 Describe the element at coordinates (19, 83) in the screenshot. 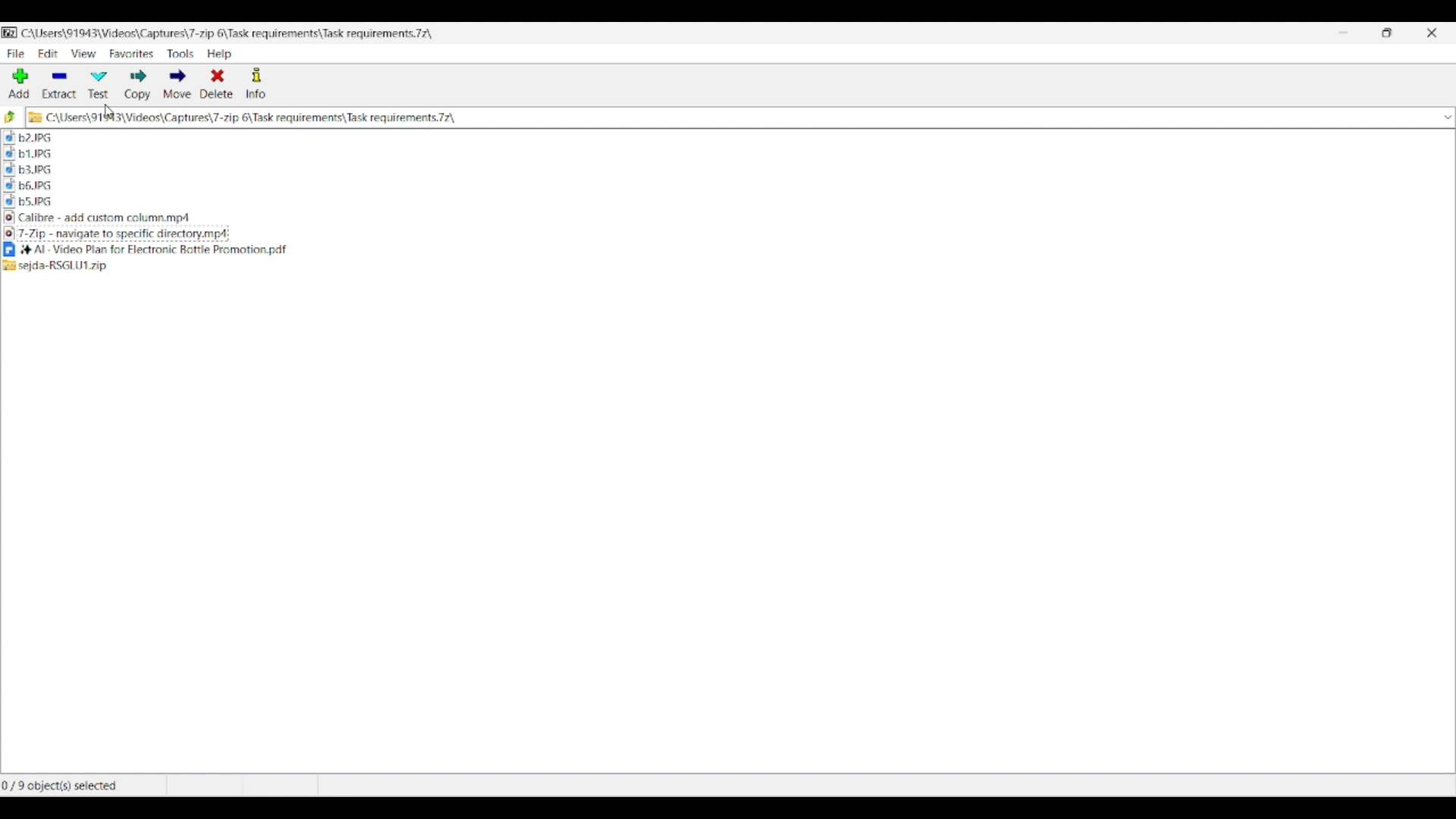

I see `Add` at that location.